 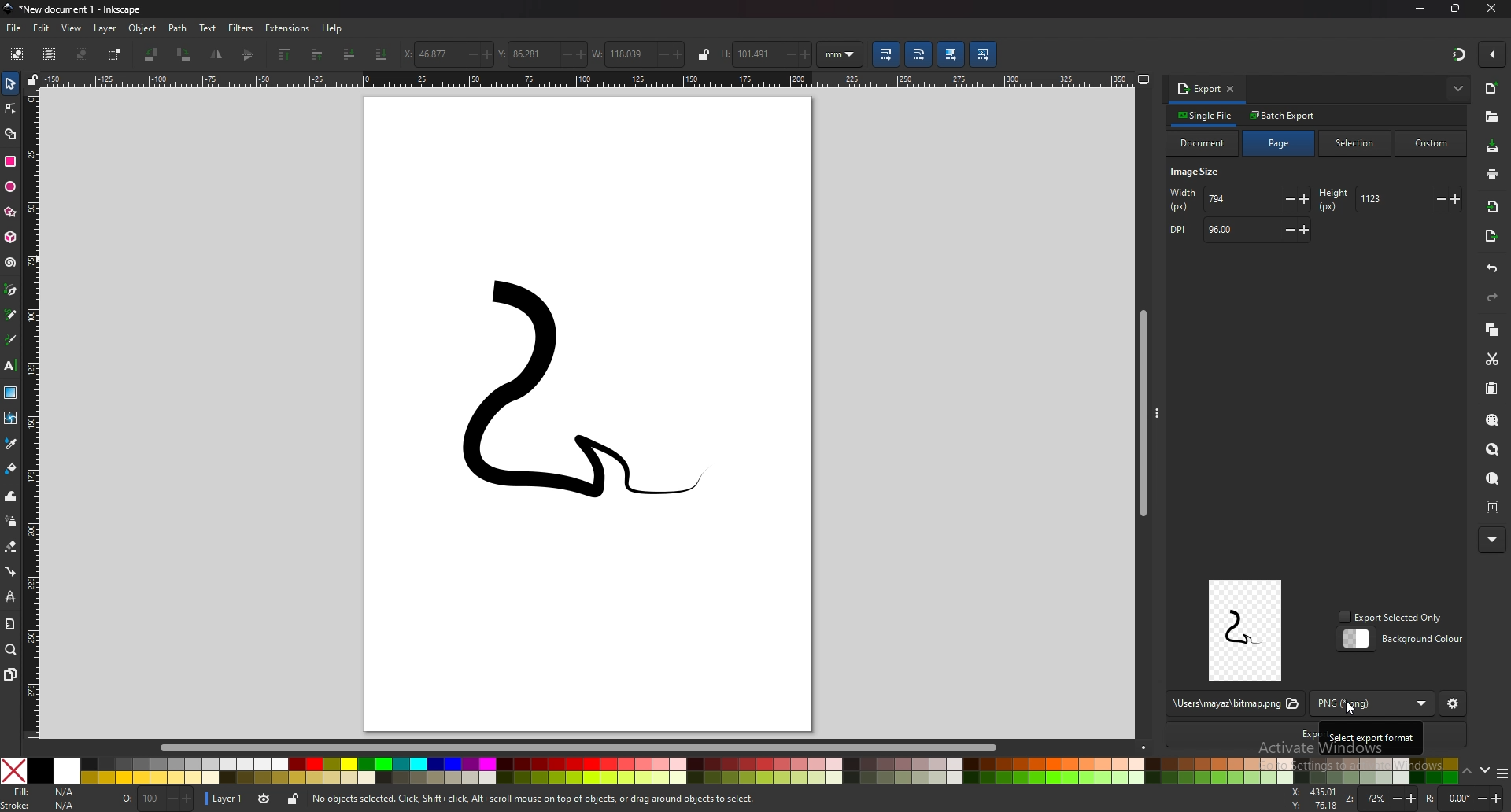 What do you see at coordinates (1493, 359) in the screenshot?
I see `cut` at bounding box center [1493, 359].